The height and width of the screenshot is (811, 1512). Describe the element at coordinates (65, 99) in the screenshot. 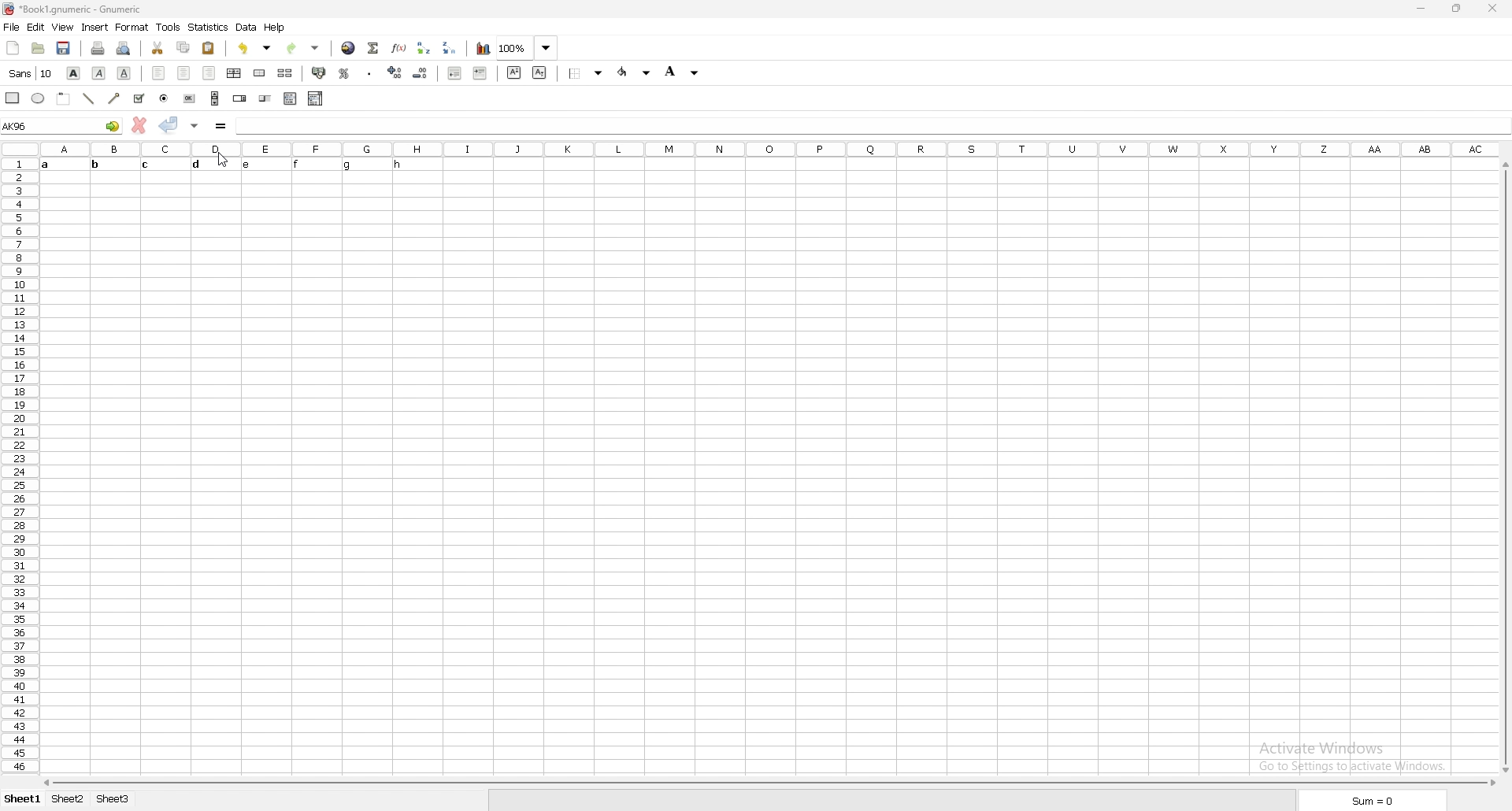

I see `frame` at that location.